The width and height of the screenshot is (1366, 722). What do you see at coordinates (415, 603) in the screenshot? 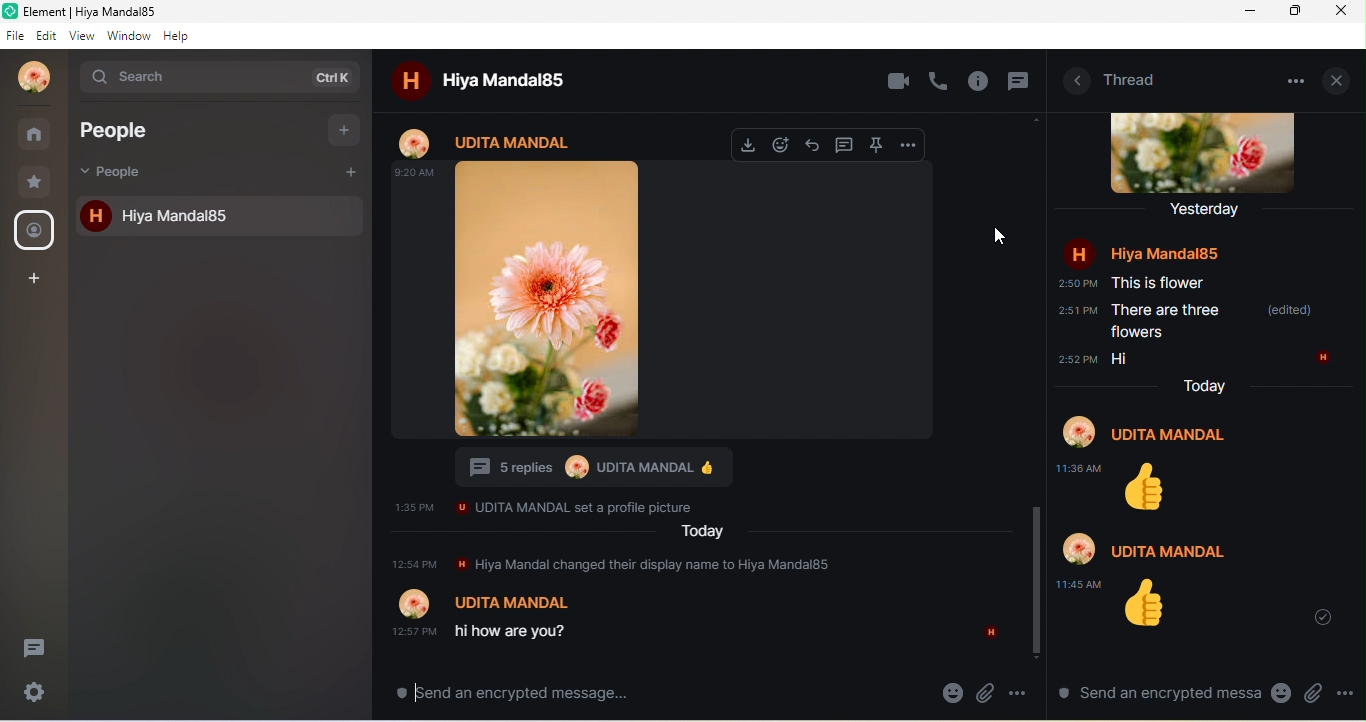
I see `Profile picture` at bounding box center [415, 603].